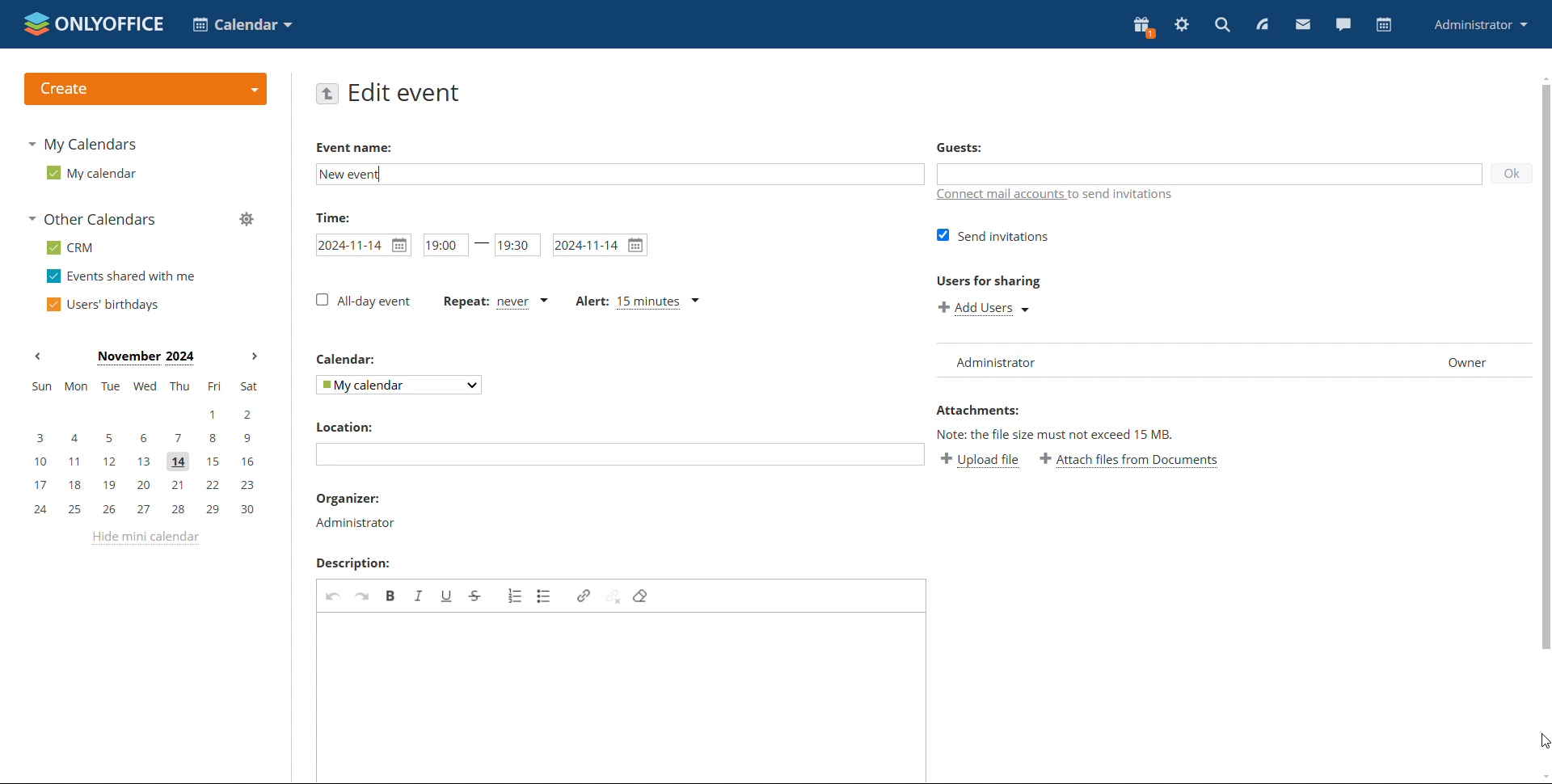  I want to click on scrollbar, so click(1546, 366).